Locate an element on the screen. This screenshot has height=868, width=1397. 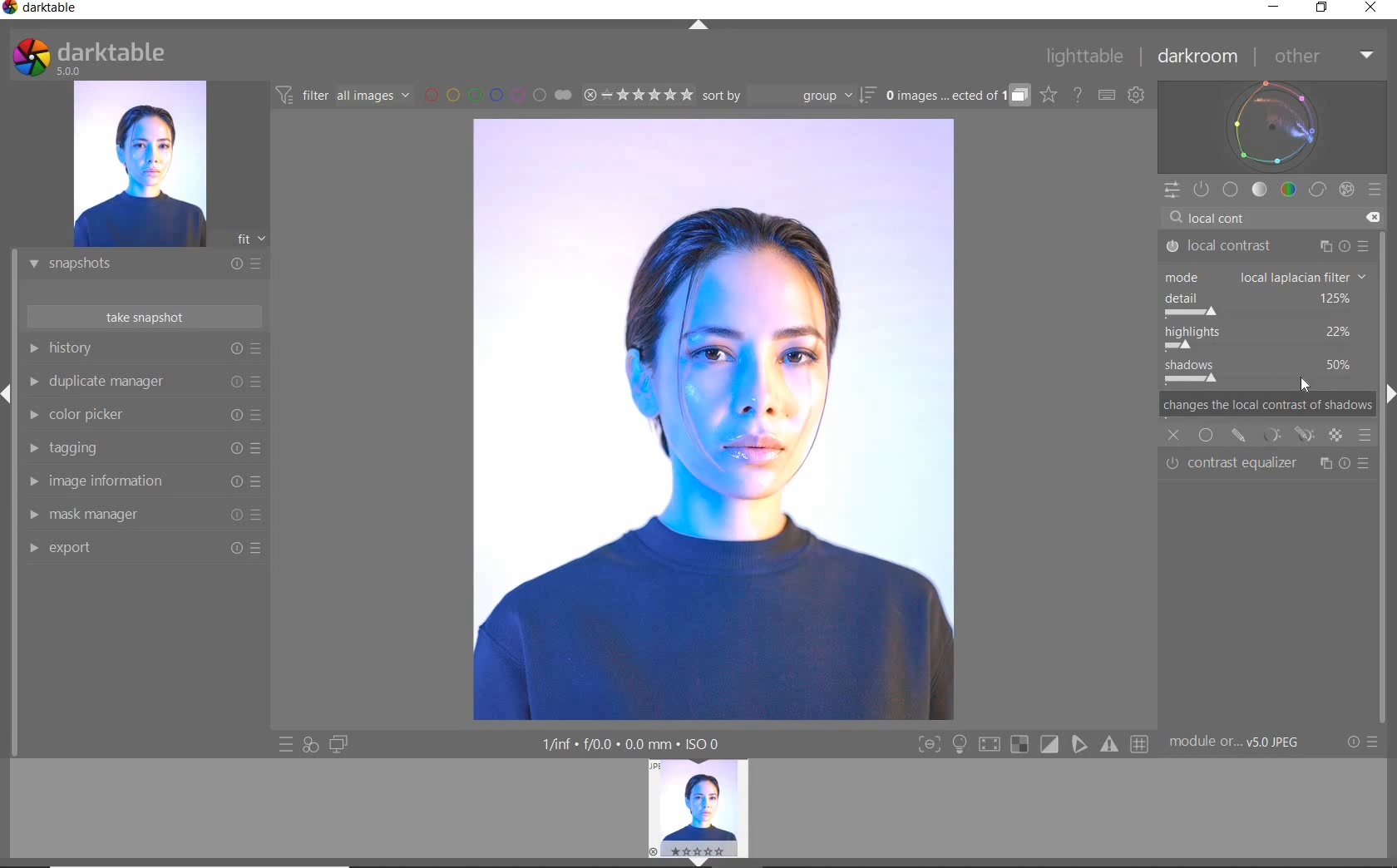
DARKROOM is located at coordinates (1198, 57).